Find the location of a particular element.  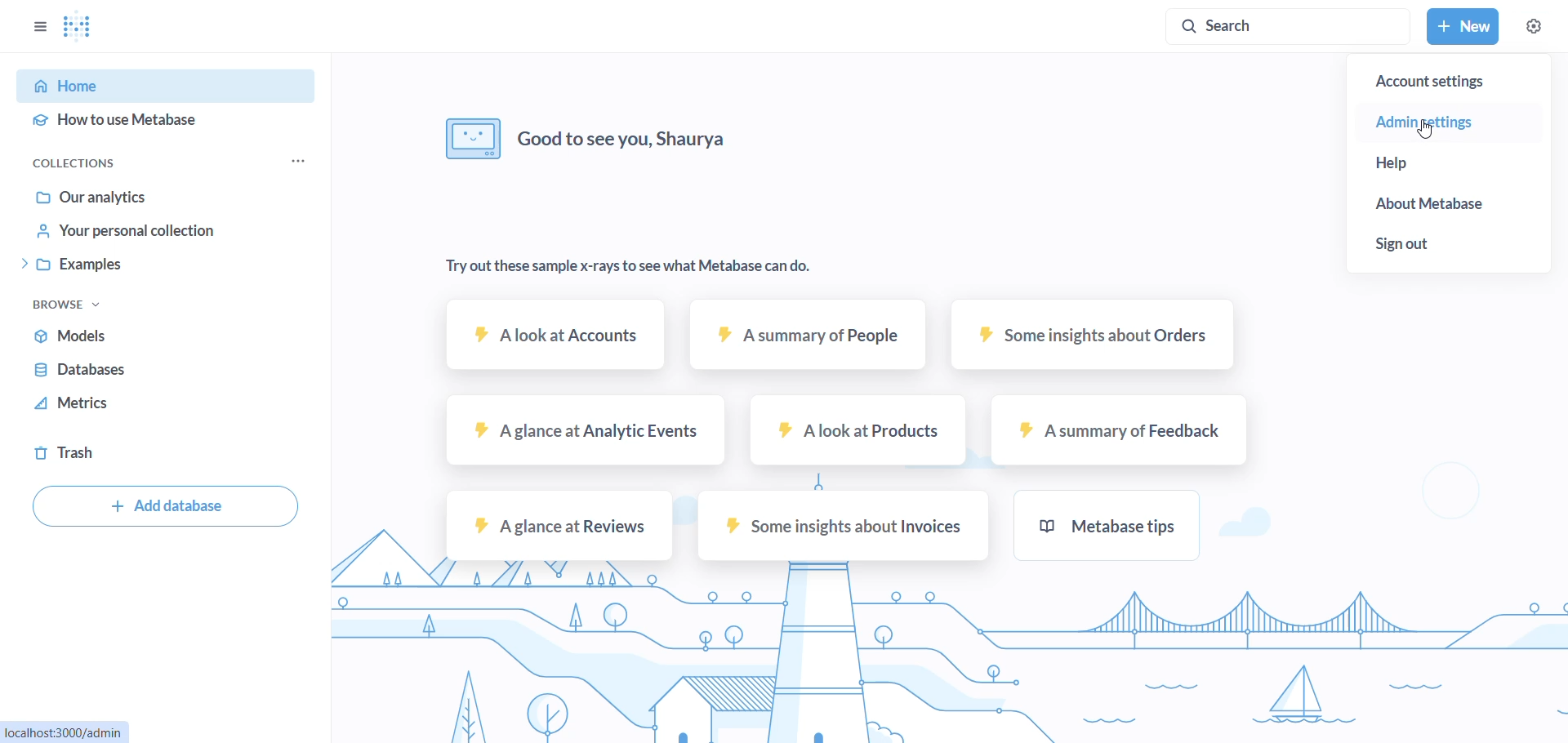

how to use metabase is located at coordinates (151, 122).